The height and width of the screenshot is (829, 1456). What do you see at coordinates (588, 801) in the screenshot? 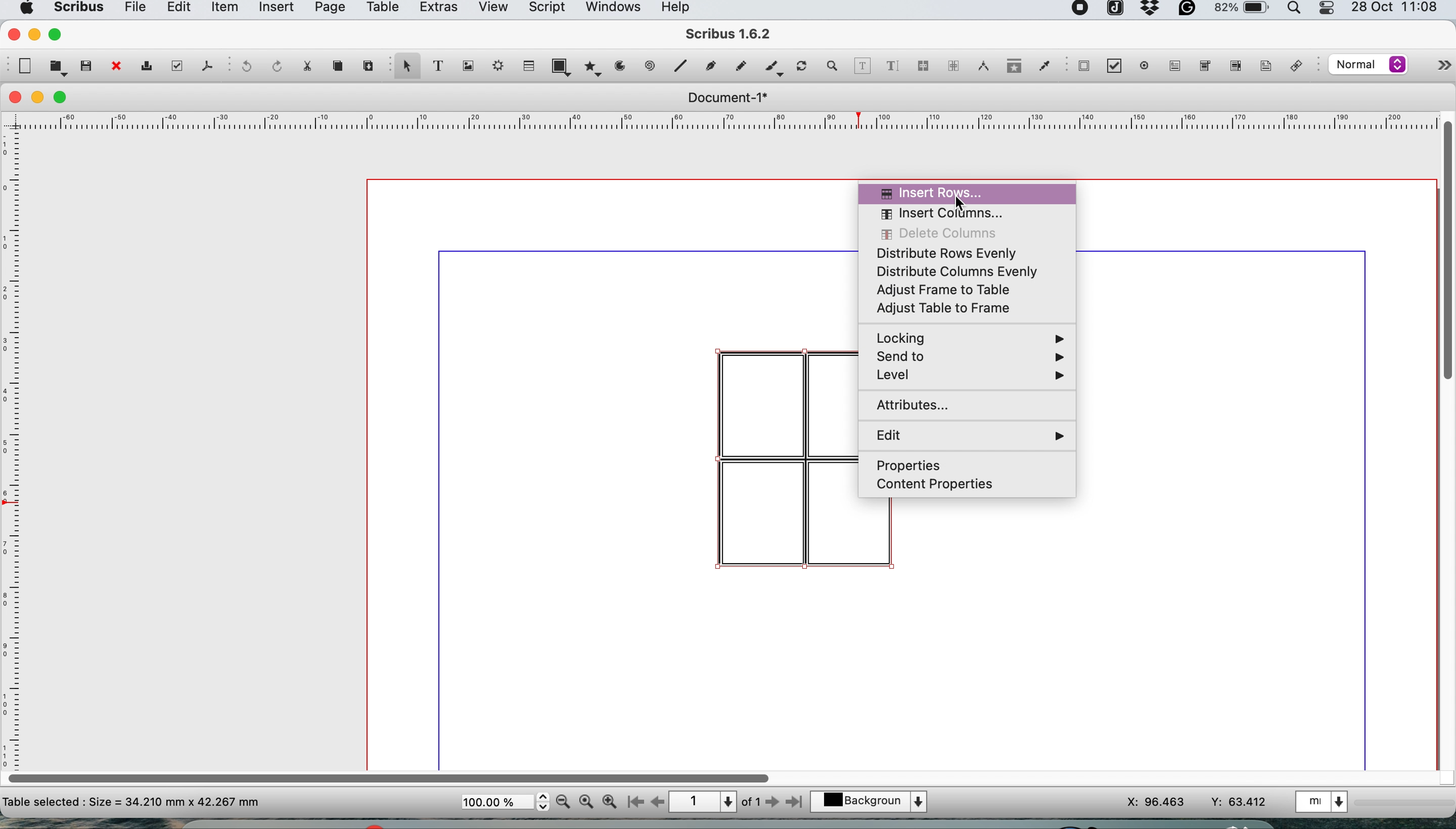
I see `zoom 100%` at bounding box center [588, 801].